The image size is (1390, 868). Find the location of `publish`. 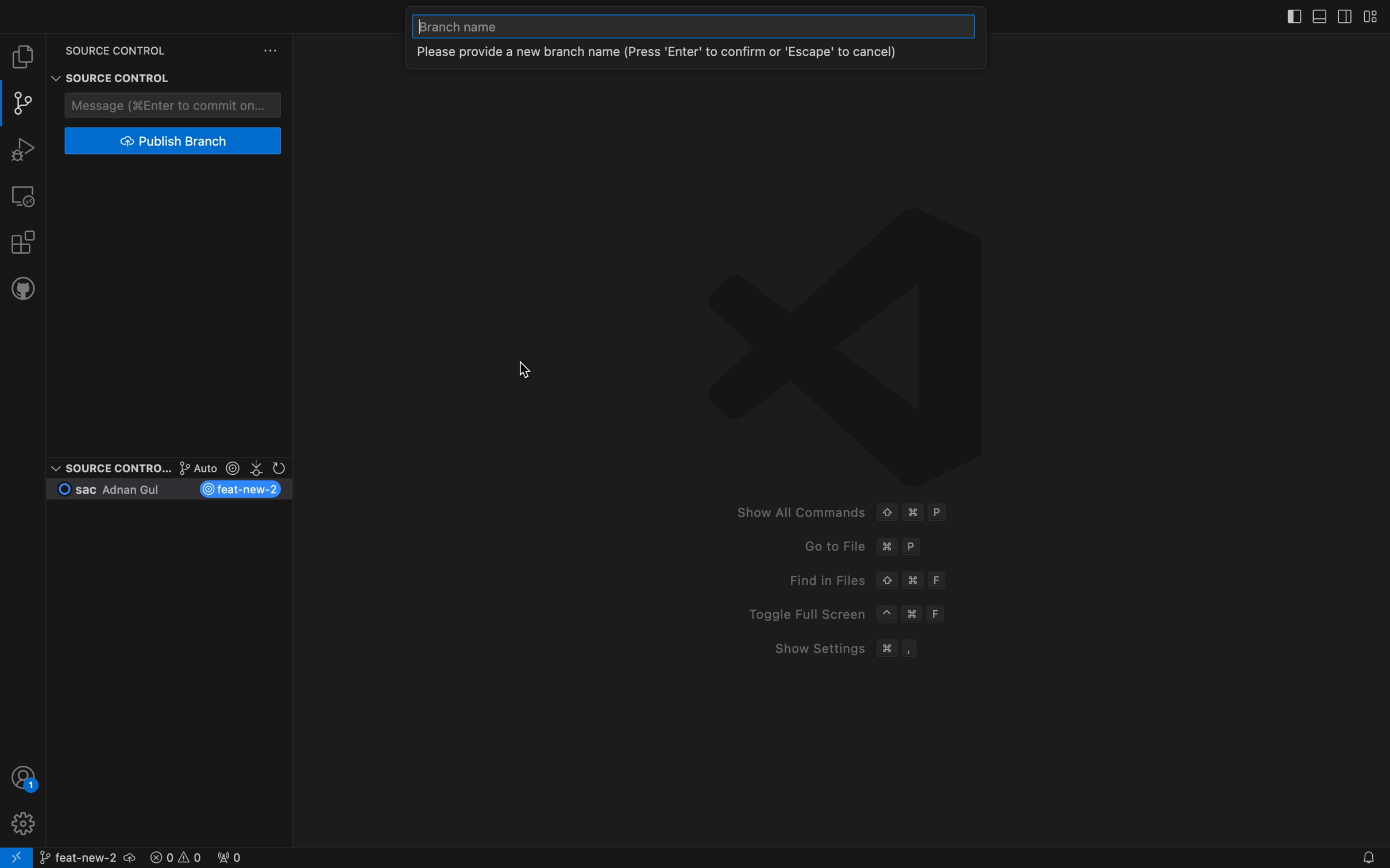

publish is located at coordinates (175, 141).